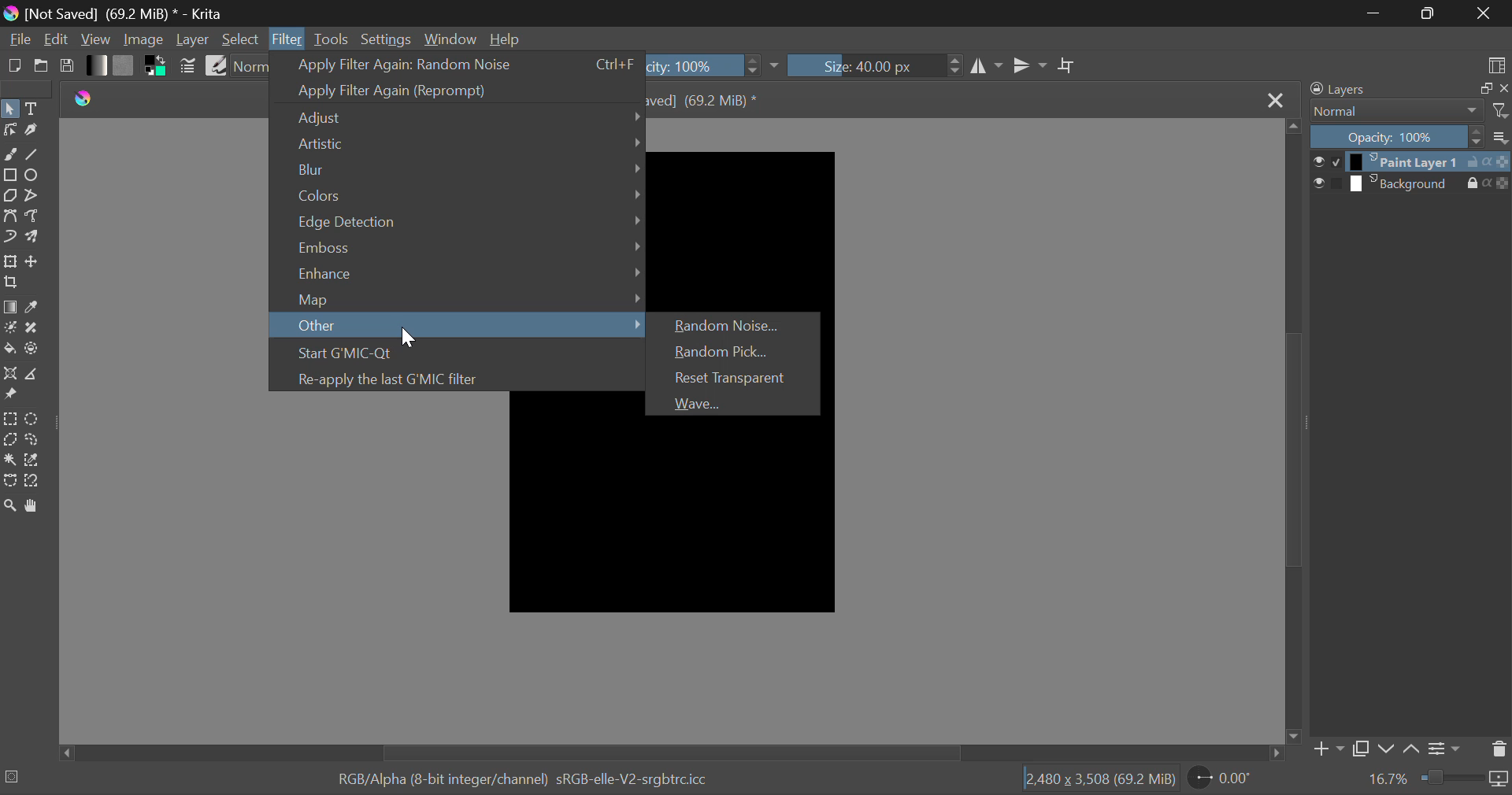  Describe the element at coordinates (68, 67) in the screenshot. I see `Save` at that location.